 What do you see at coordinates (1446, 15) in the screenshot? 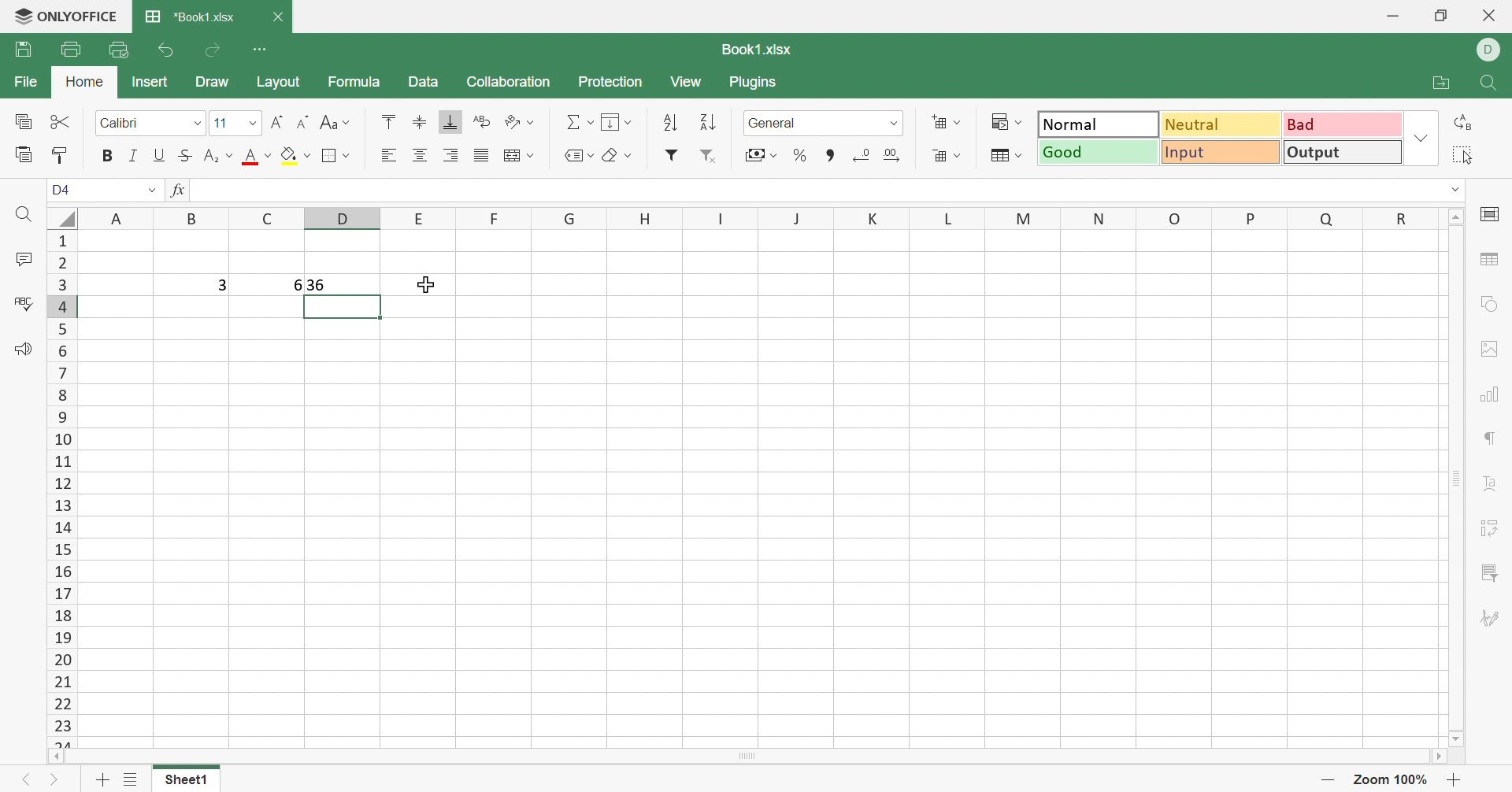
I see `Restore down` at bounding box center [1446, 15].